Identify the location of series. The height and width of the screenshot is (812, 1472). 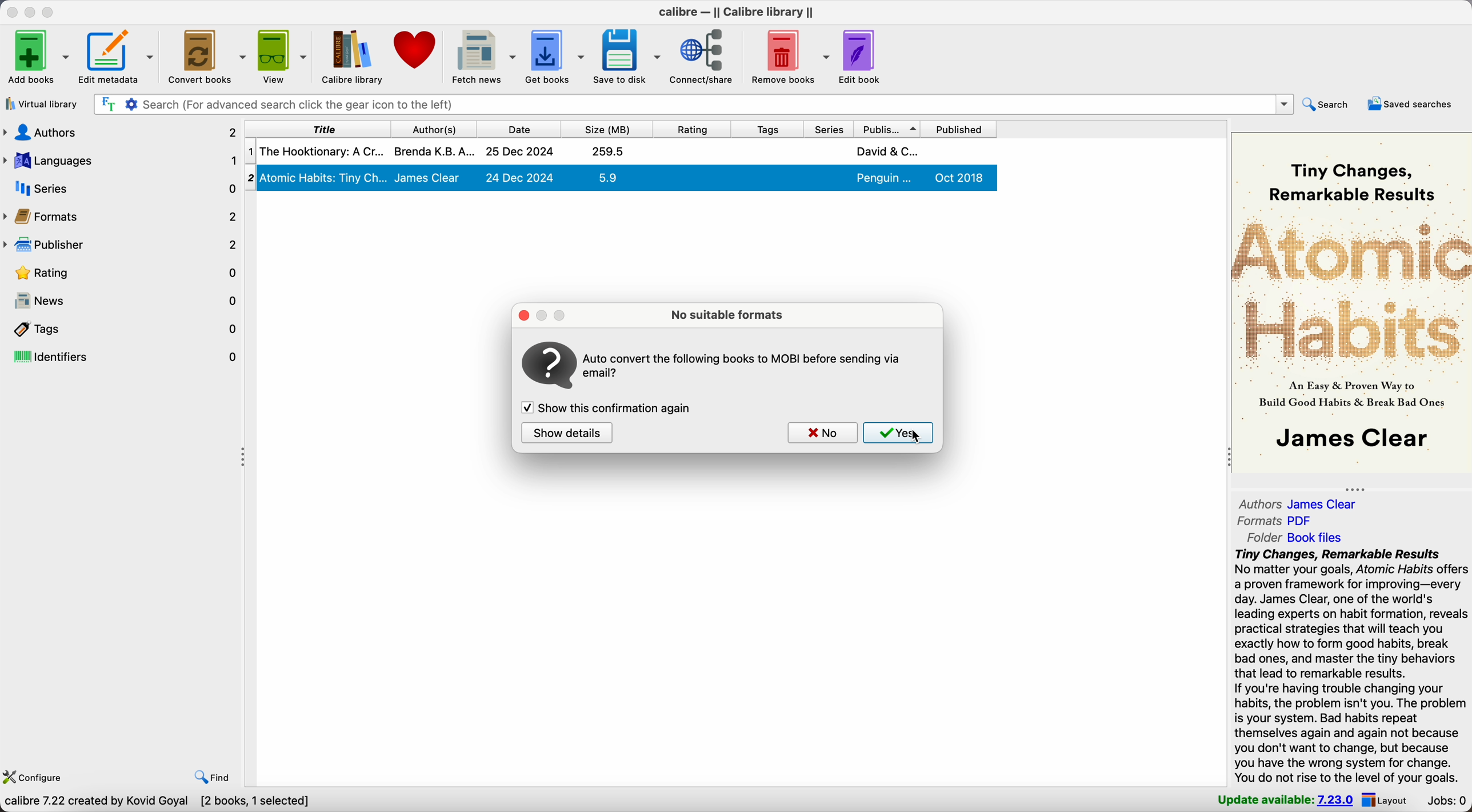
(827, 128).